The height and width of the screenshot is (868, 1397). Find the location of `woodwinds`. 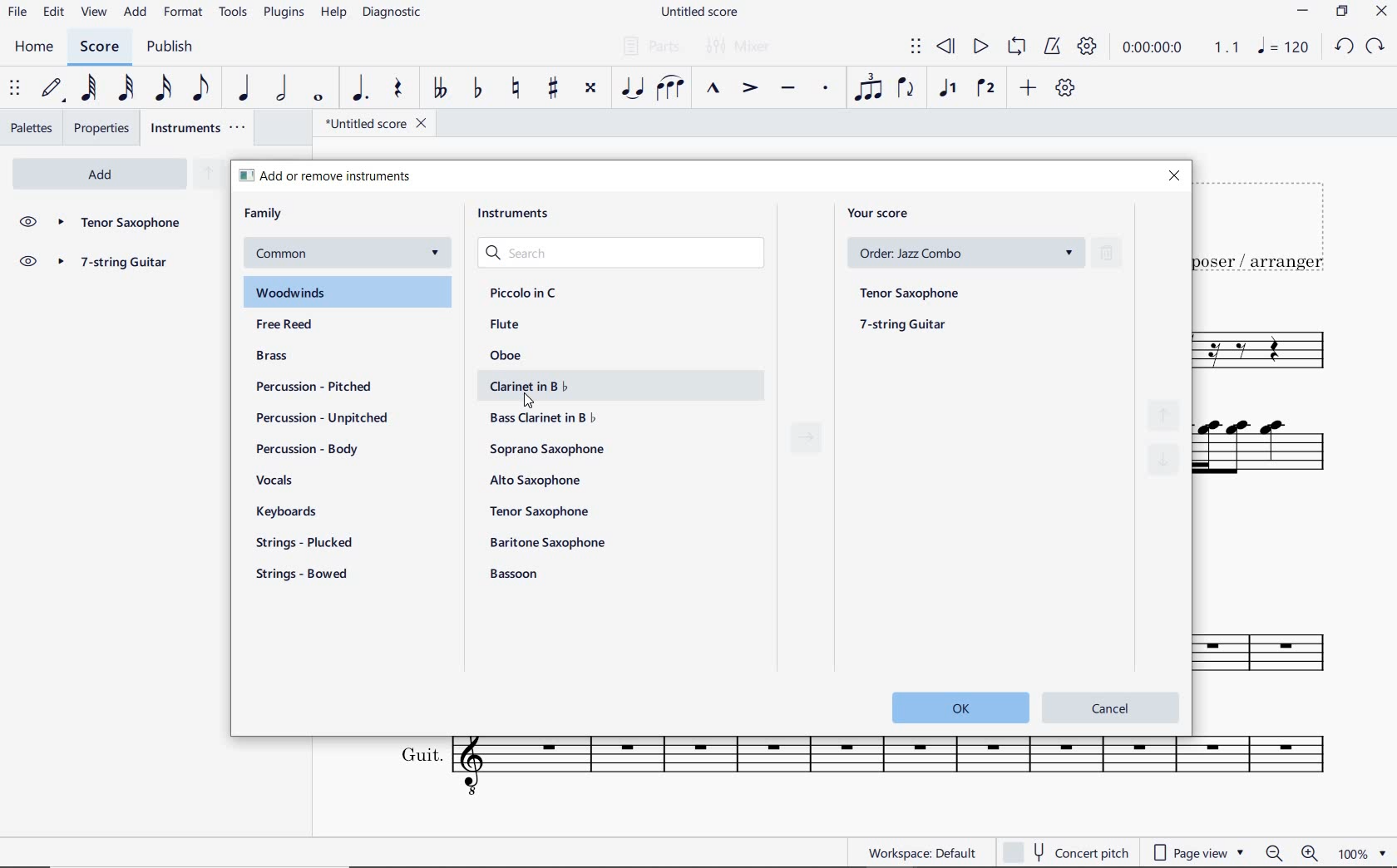

woodwinds is located at coordinates (349, 293).